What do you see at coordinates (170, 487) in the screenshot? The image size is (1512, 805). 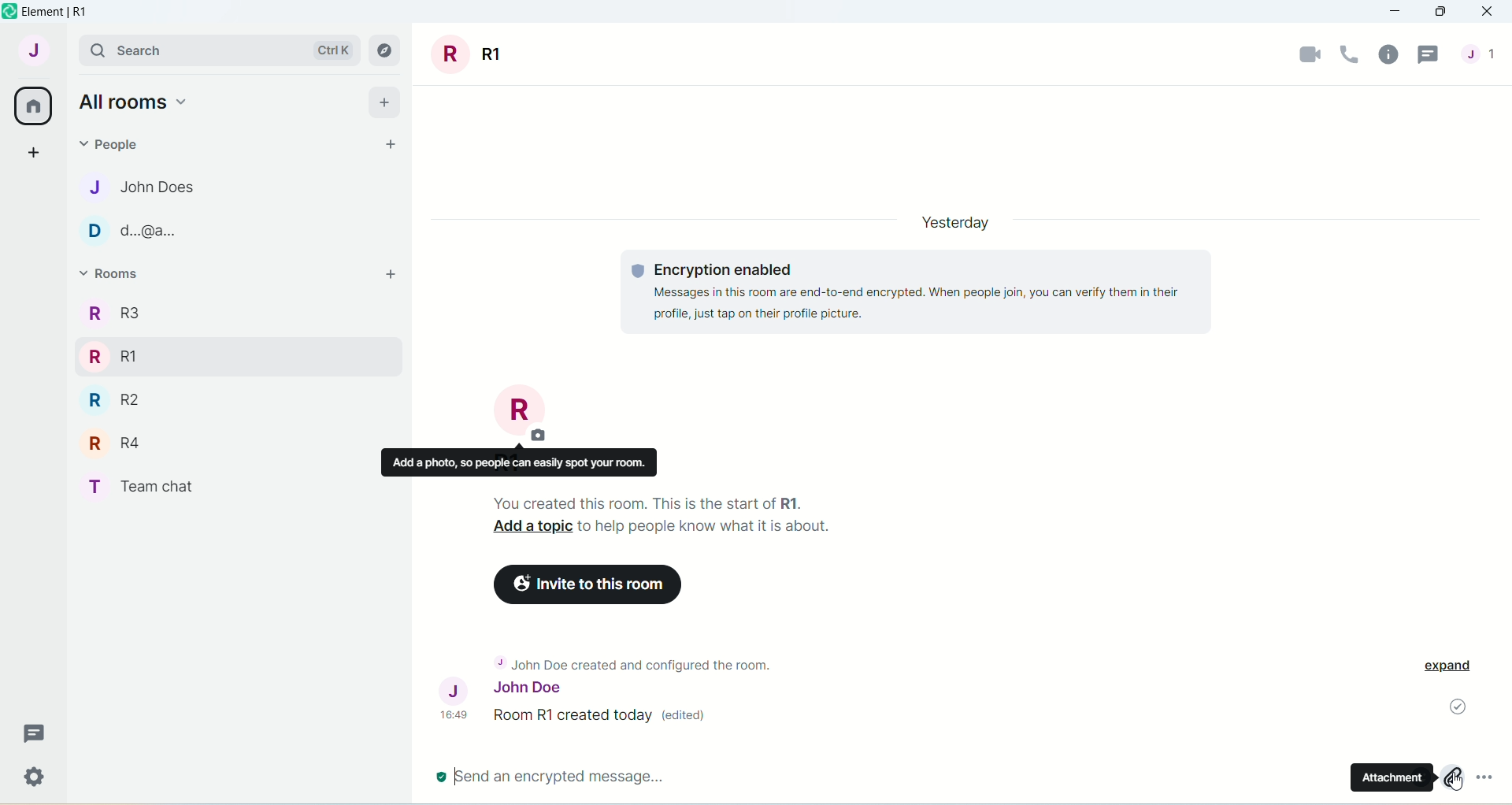 I see `T Team chat` at bounding box center [170, 487].